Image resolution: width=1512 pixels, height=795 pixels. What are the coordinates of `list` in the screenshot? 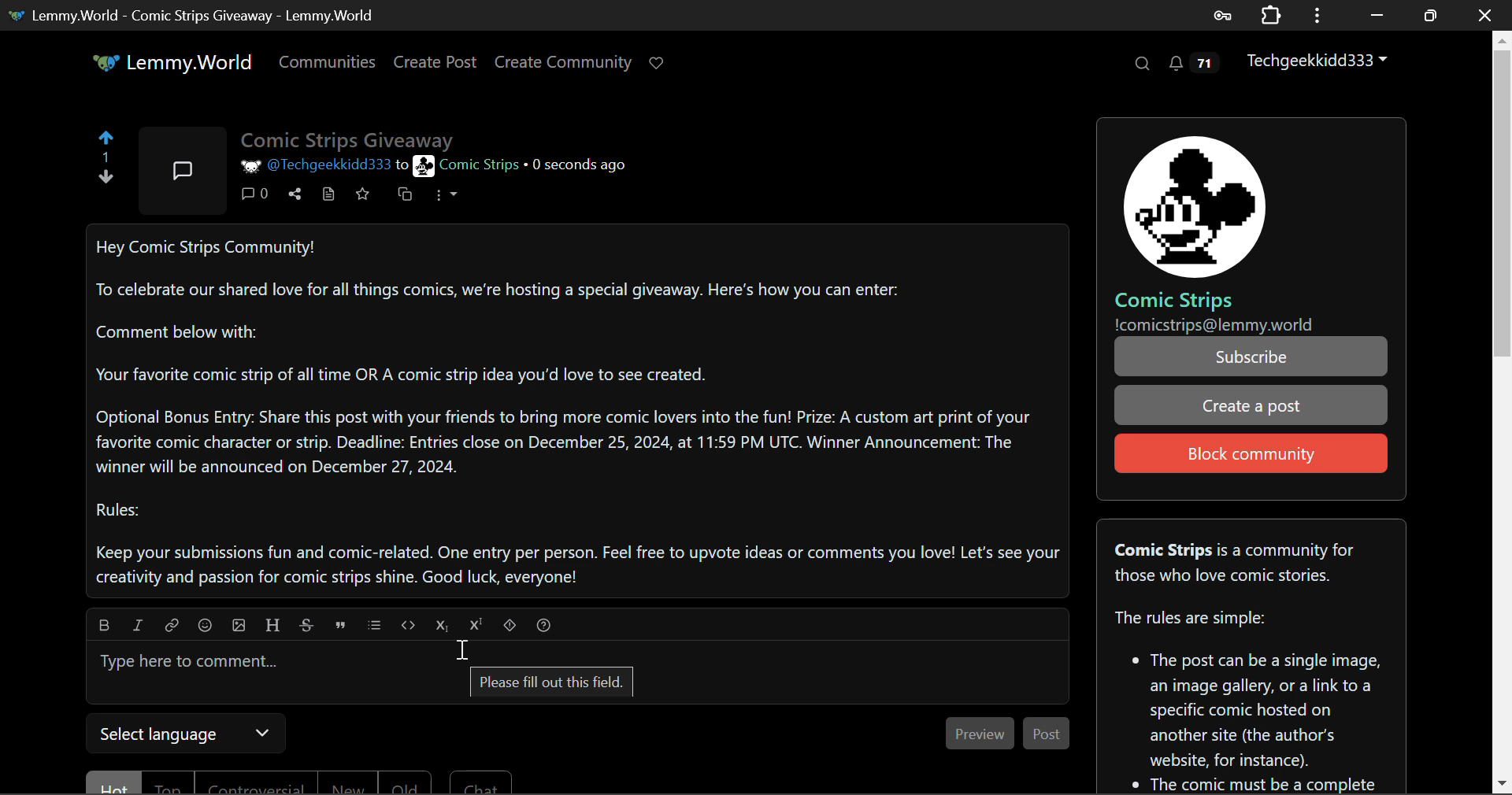 It's located at (377, 623).